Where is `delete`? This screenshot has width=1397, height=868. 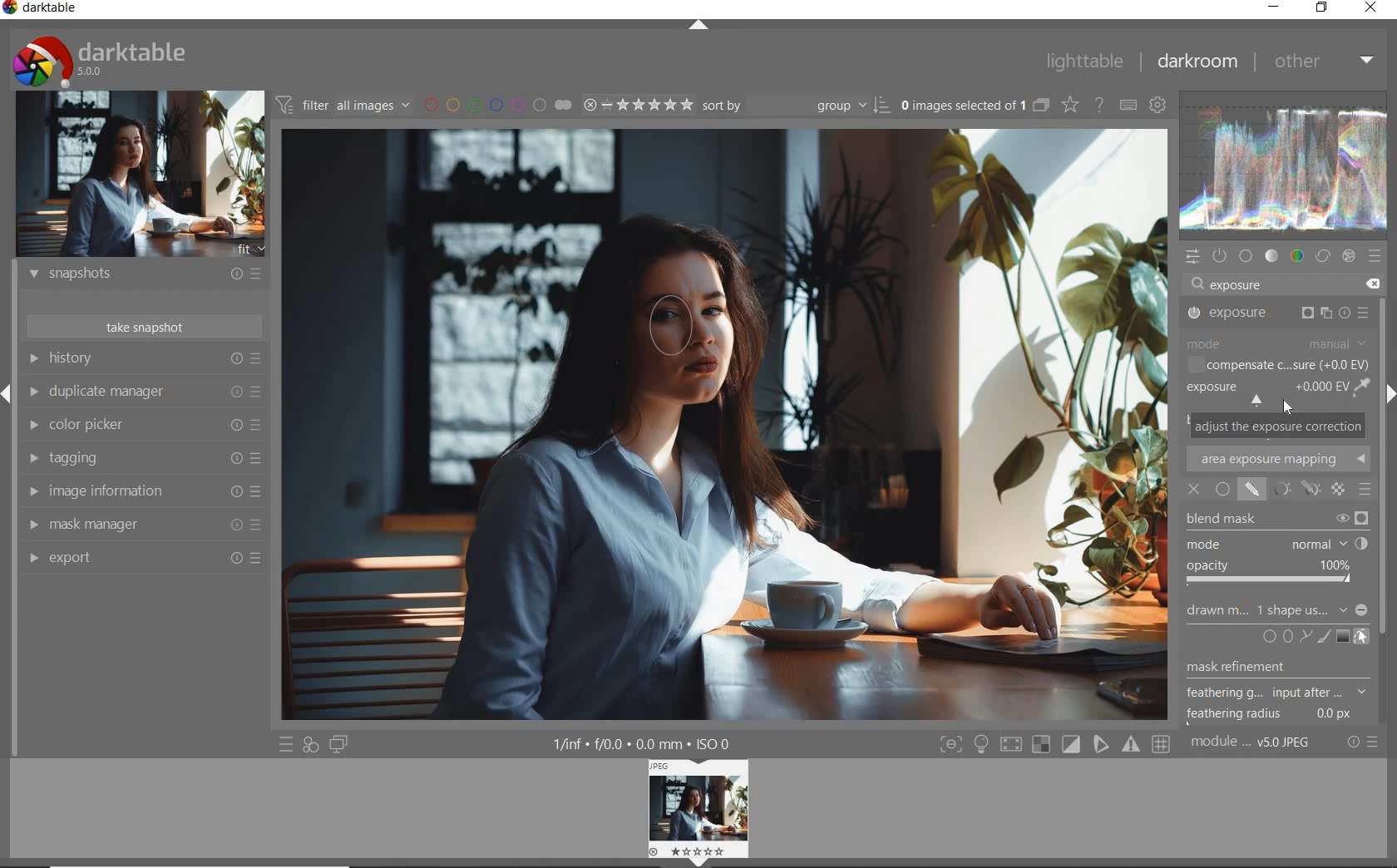 delete is located at coordinates (1376, 284).